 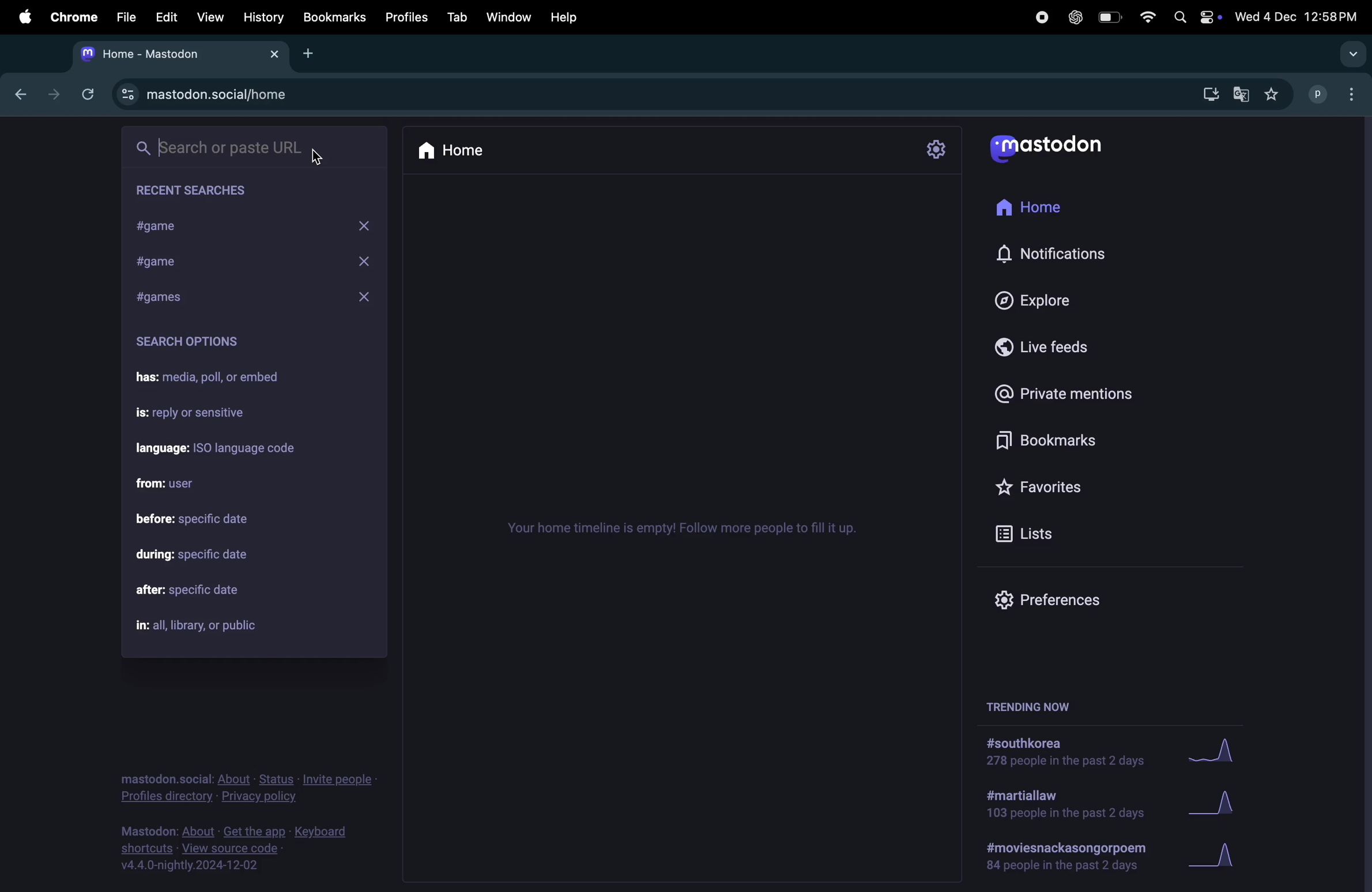 I want to click on has media poll, so click(x=217, y=379).